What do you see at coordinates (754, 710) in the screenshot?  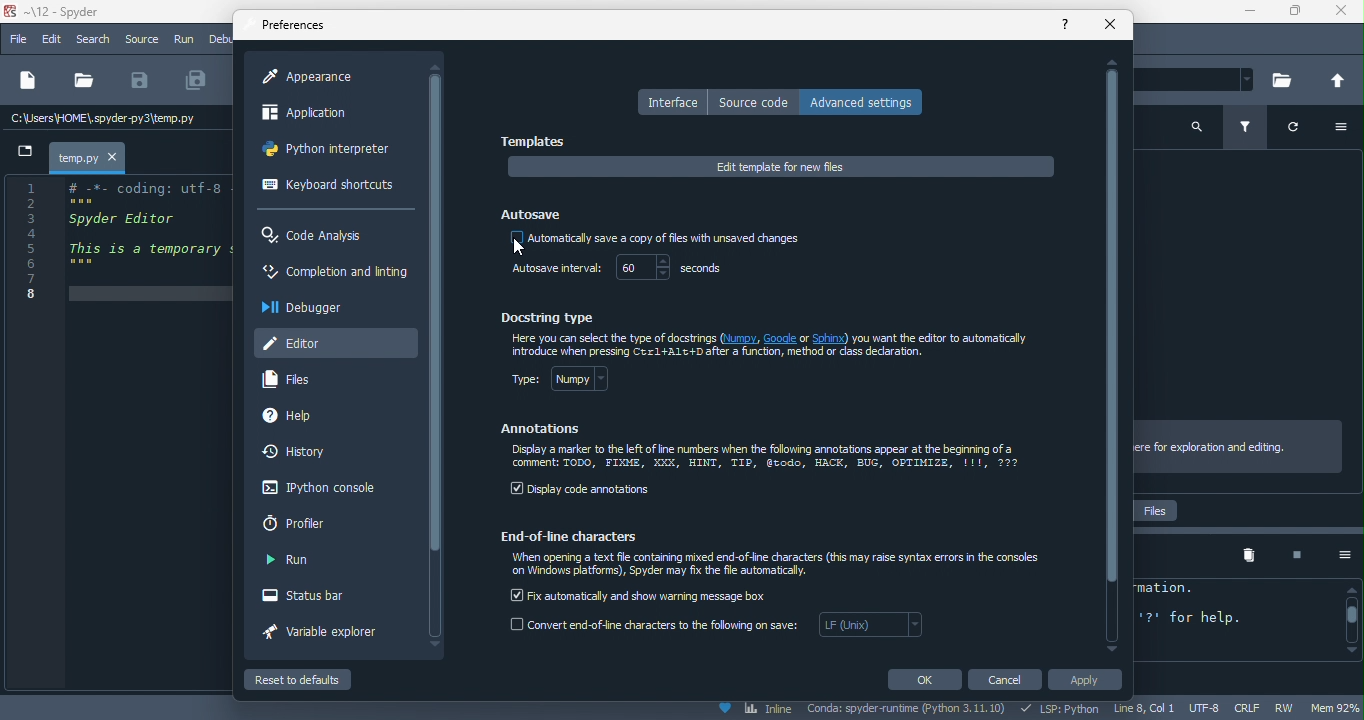 I see `inline` at bounding box center [754, 710].